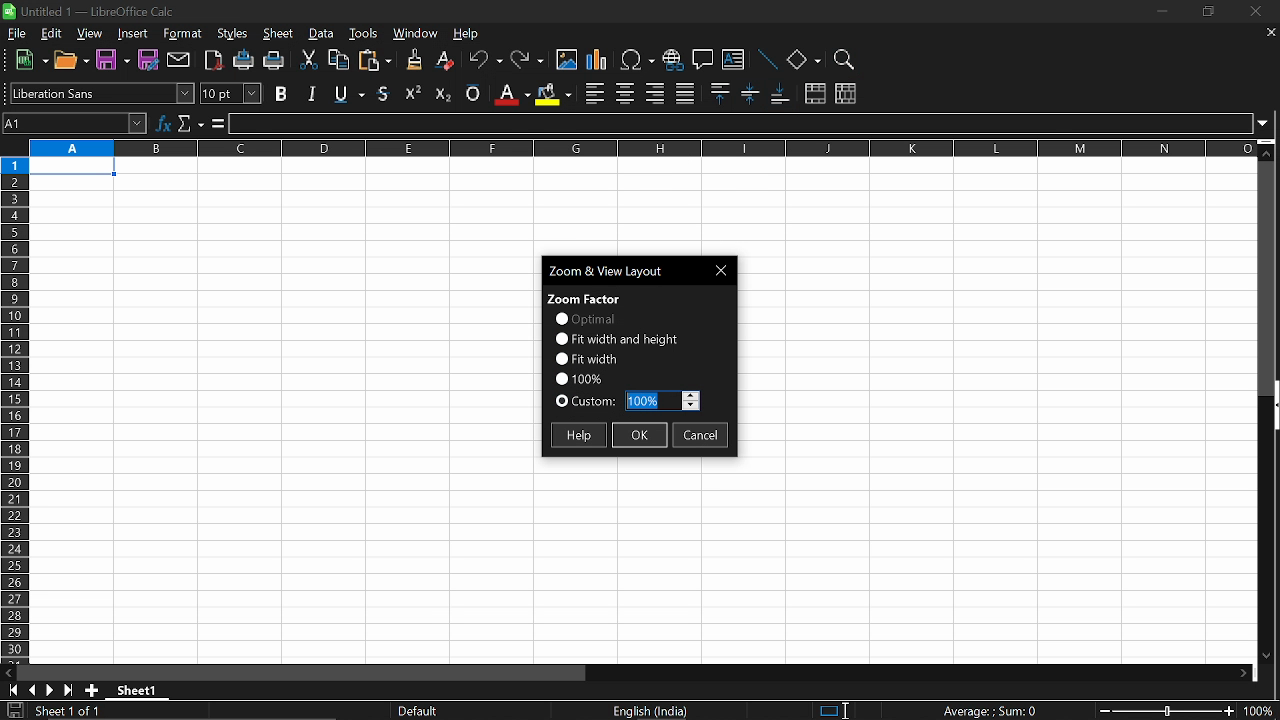 The image size is (1280, 720). I want to click on go to first page, so click(10, 689).